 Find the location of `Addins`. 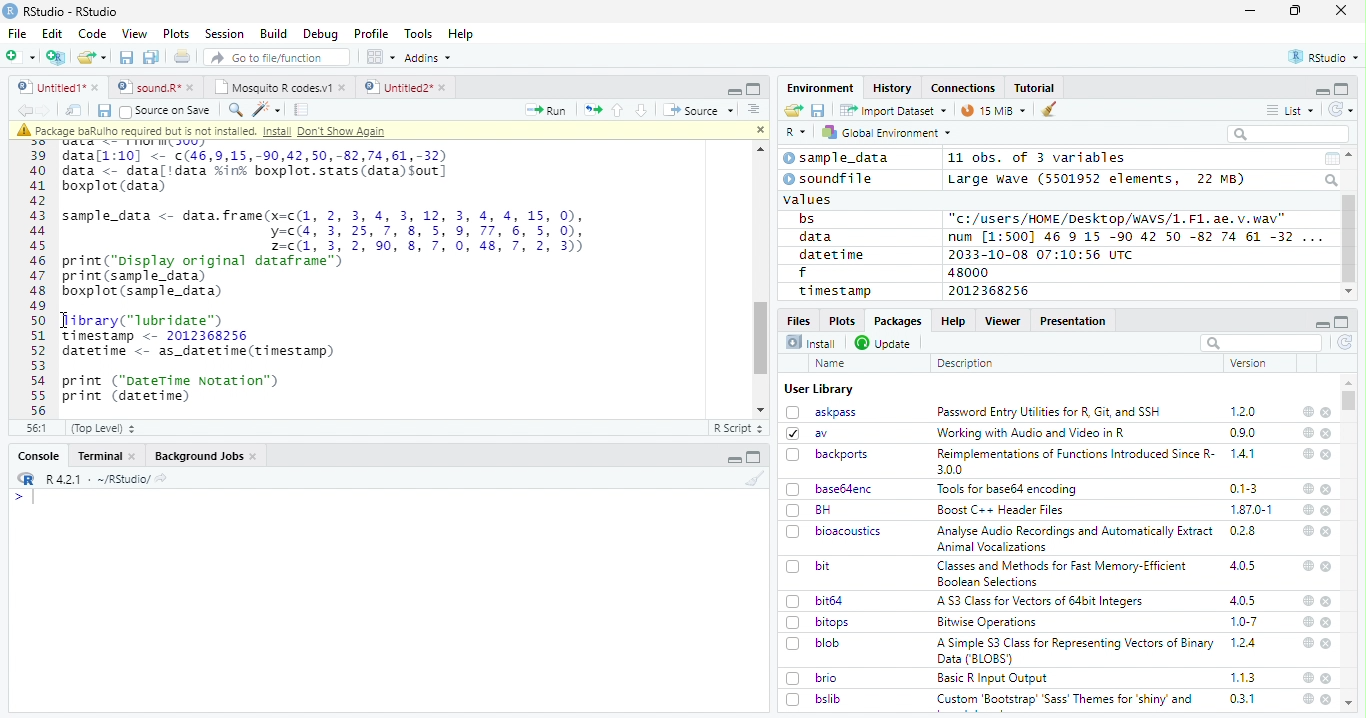

Addins is located at coordinates (428, 58).